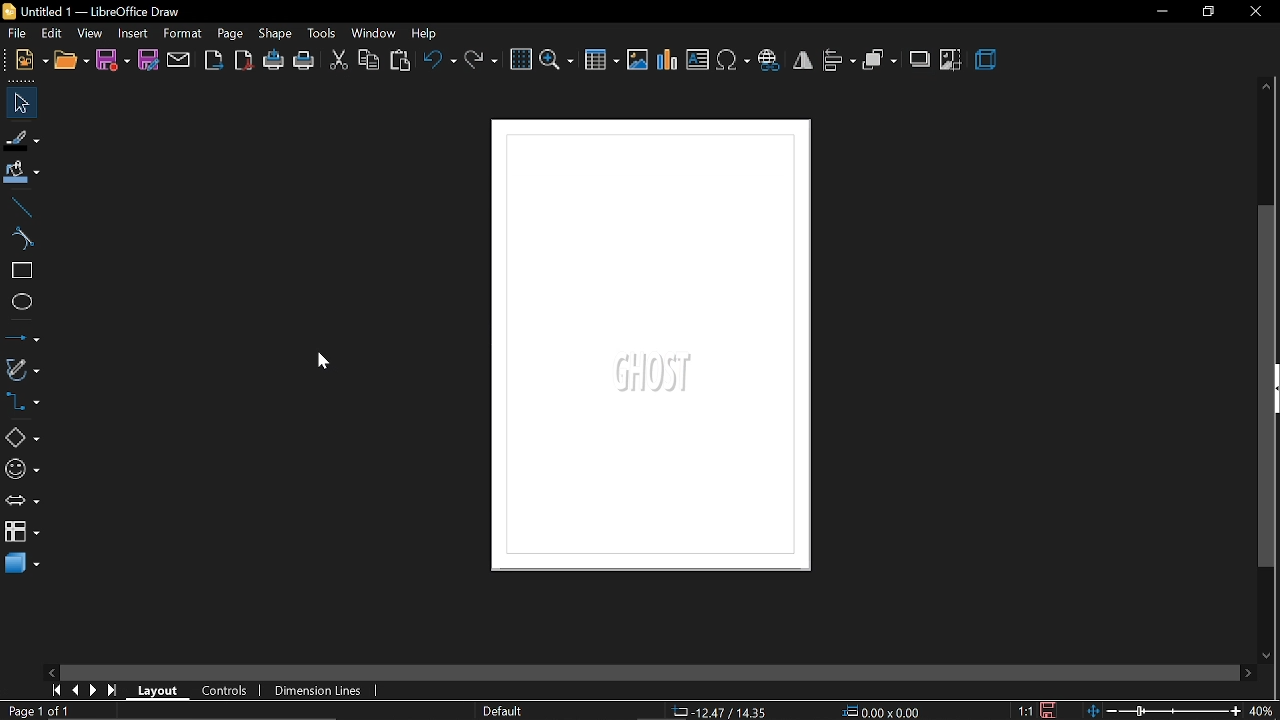 The height and width of the screenshot is (720, 1280). I want to click on insert table, so click(601, 61).